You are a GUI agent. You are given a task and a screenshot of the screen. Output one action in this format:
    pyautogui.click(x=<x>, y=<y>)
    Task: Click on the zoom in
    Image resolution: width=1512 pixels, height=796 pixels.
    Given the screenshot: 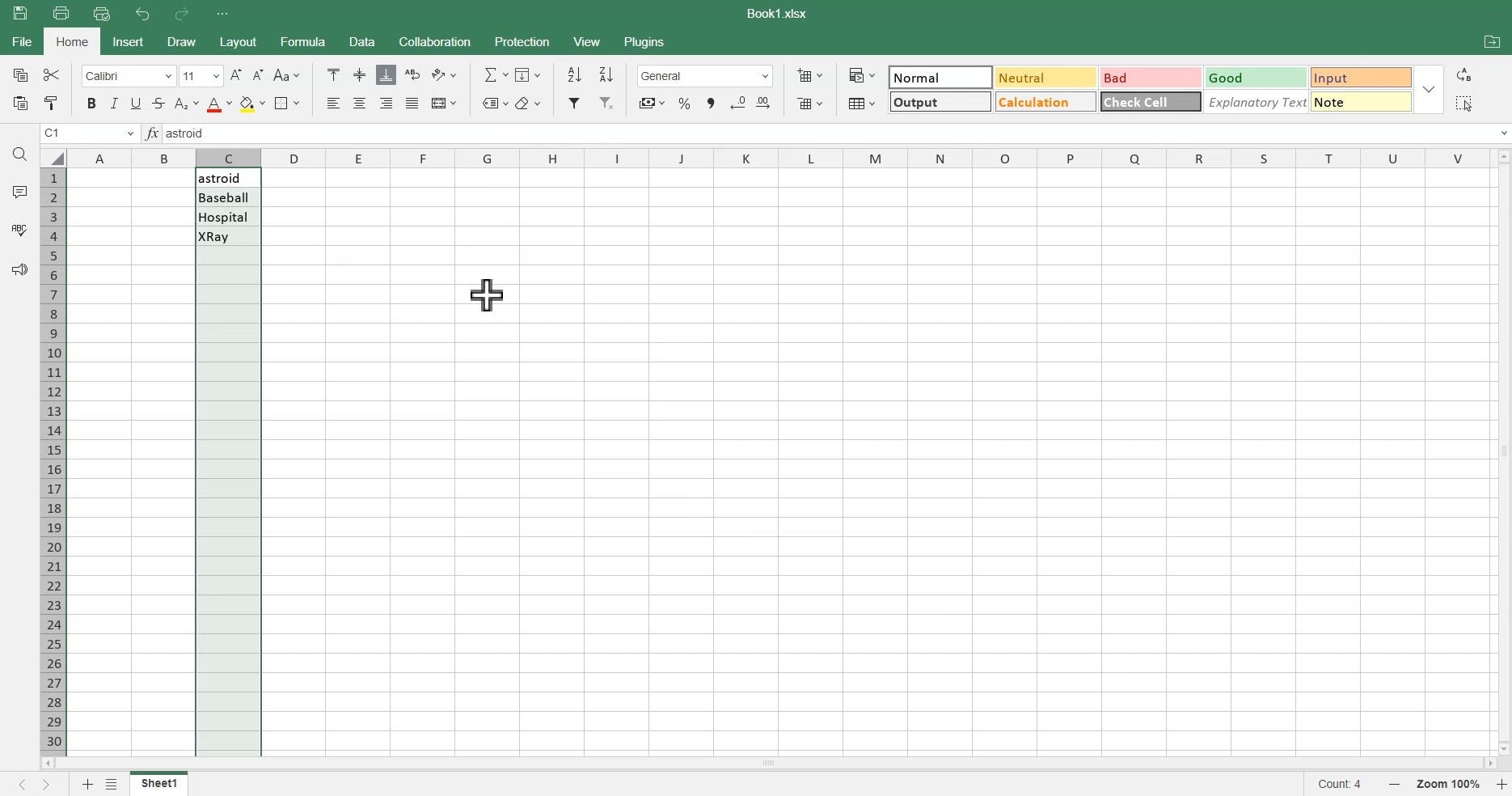 What is the action you would take?
    pyautogui.click(x=1502, y=785)
    